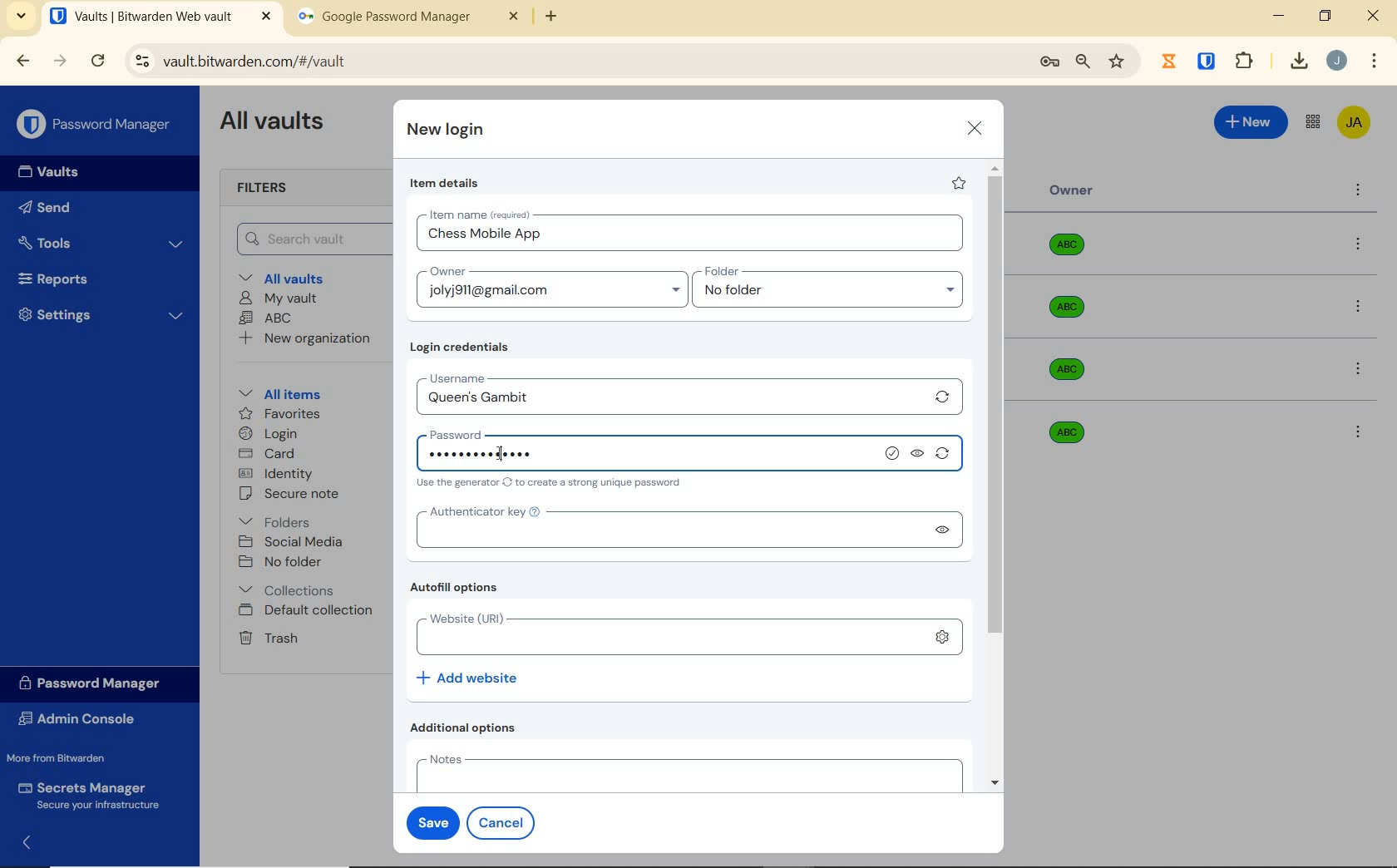  Describe the element at coordinates (484, 455) in the screenshot. I see `password added` at that location.